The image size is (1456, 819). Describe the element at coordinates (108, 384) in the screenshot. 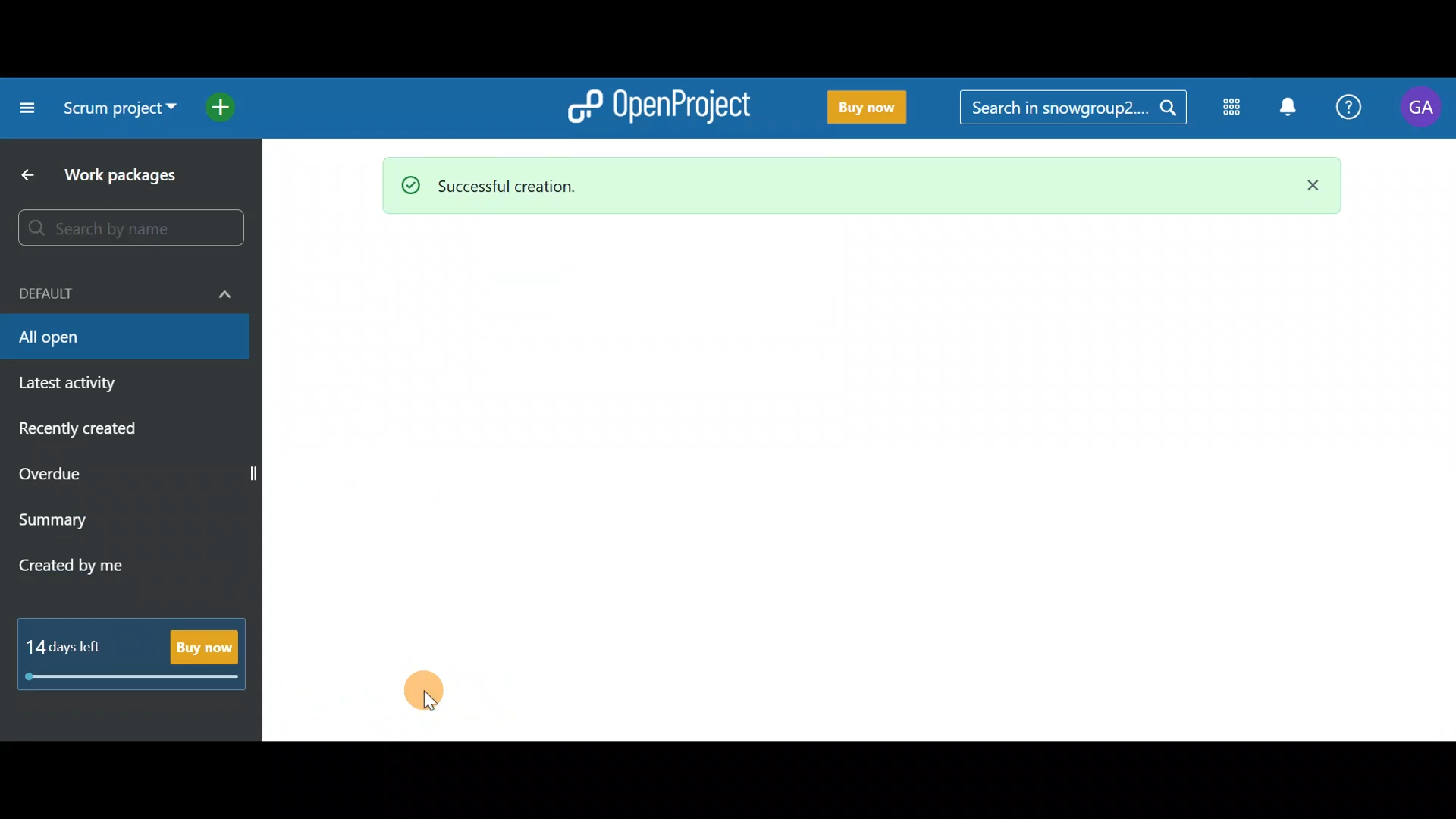

I see `Latest activity` at that location.